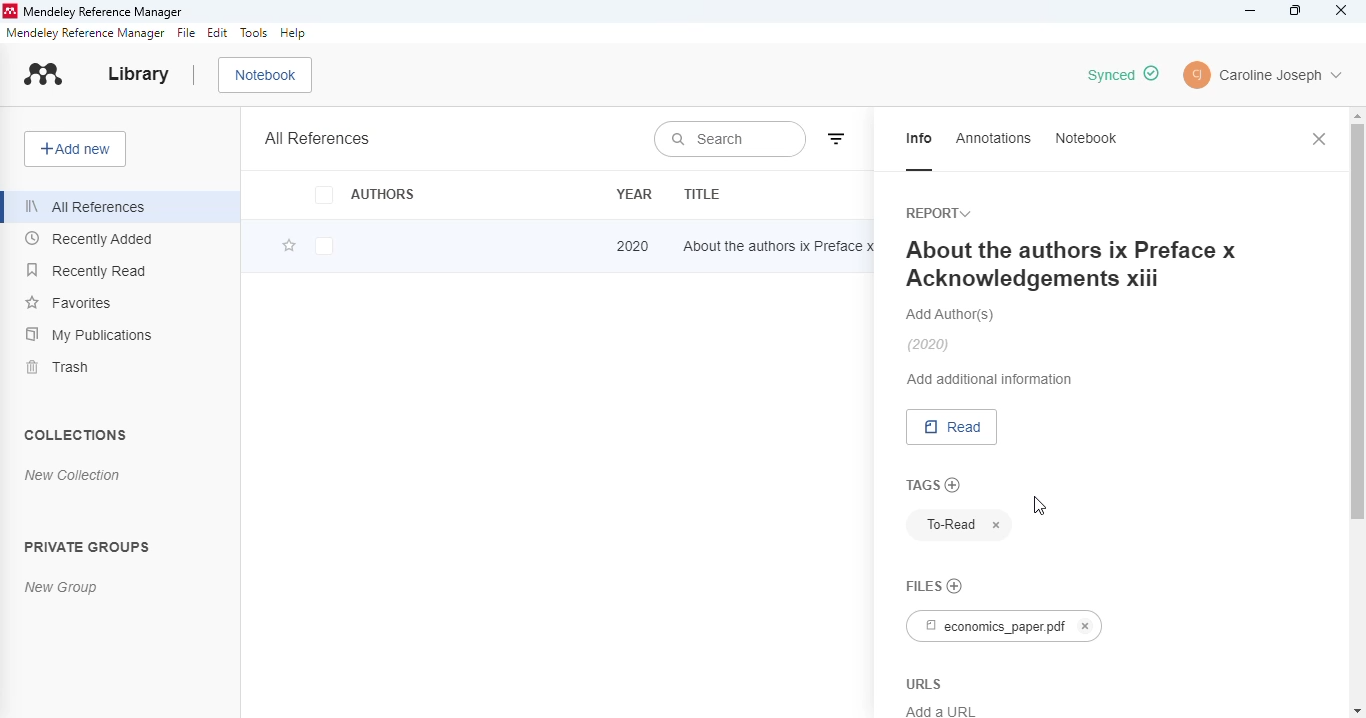  I want to click on new group, so click(61, 588).